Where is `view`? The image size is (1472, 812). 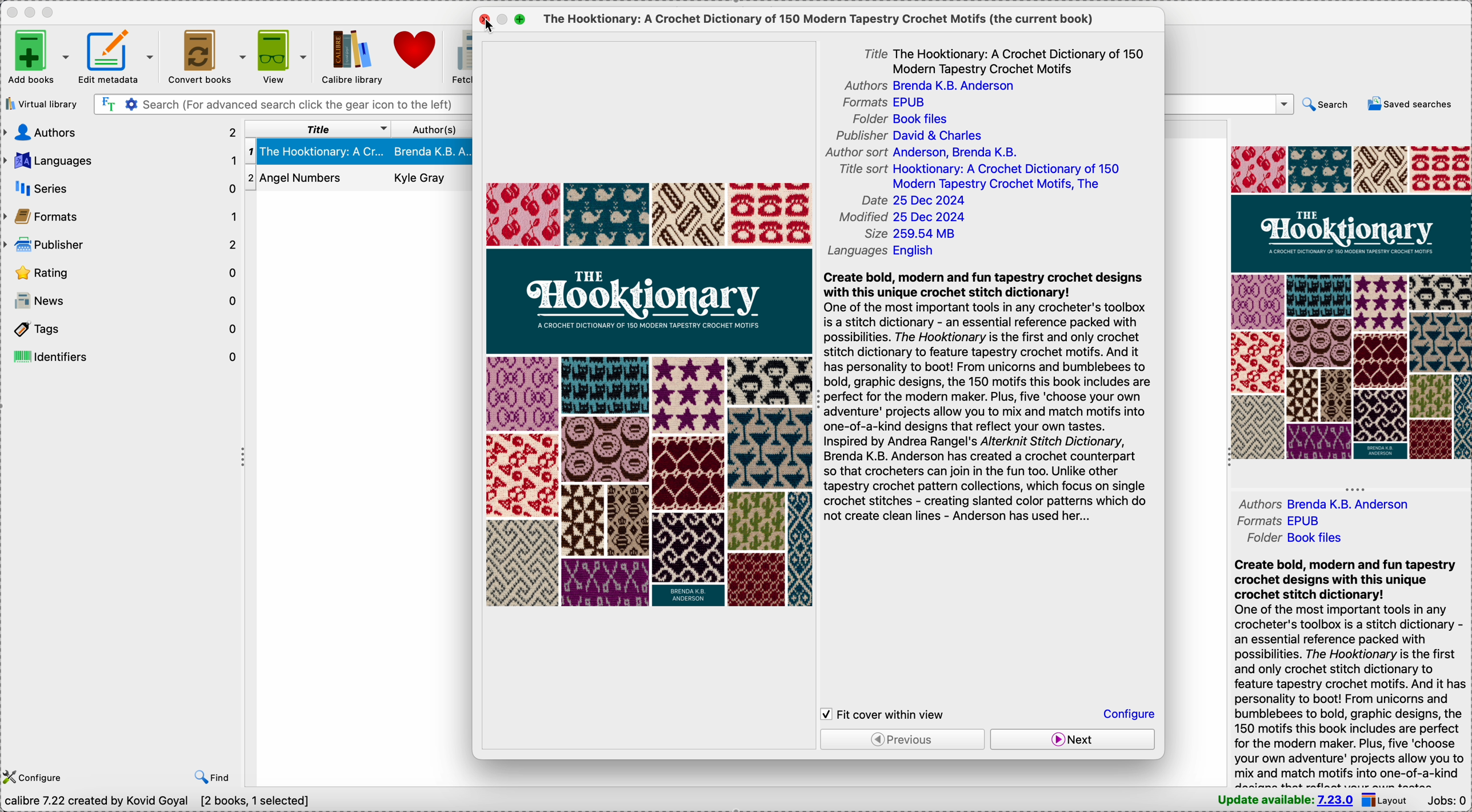 view is located at coordinates (283, 55).